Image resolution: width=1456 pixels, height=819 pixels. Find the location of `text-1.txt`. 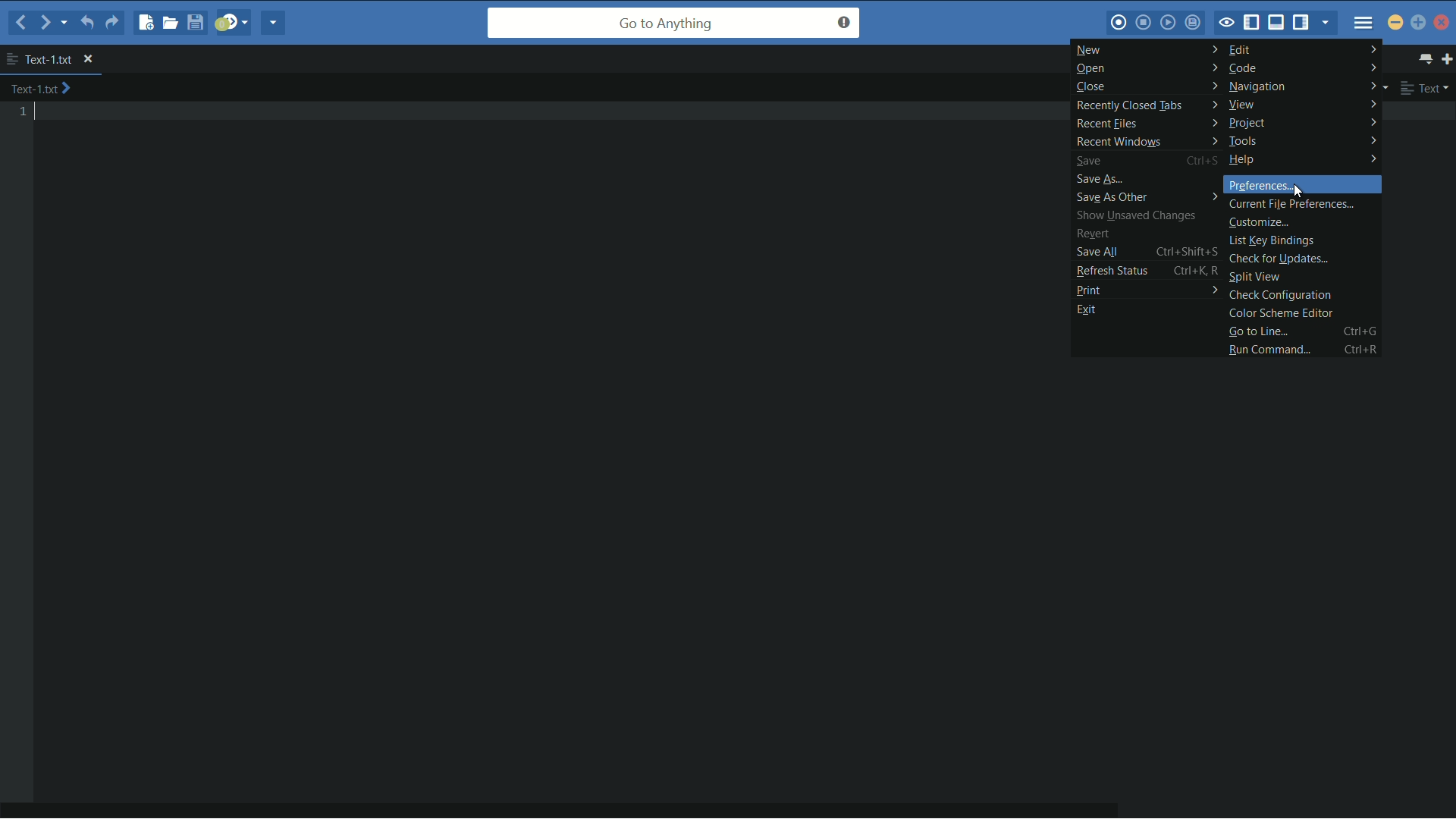

text-1.txt is located at coordinates (41, 89).